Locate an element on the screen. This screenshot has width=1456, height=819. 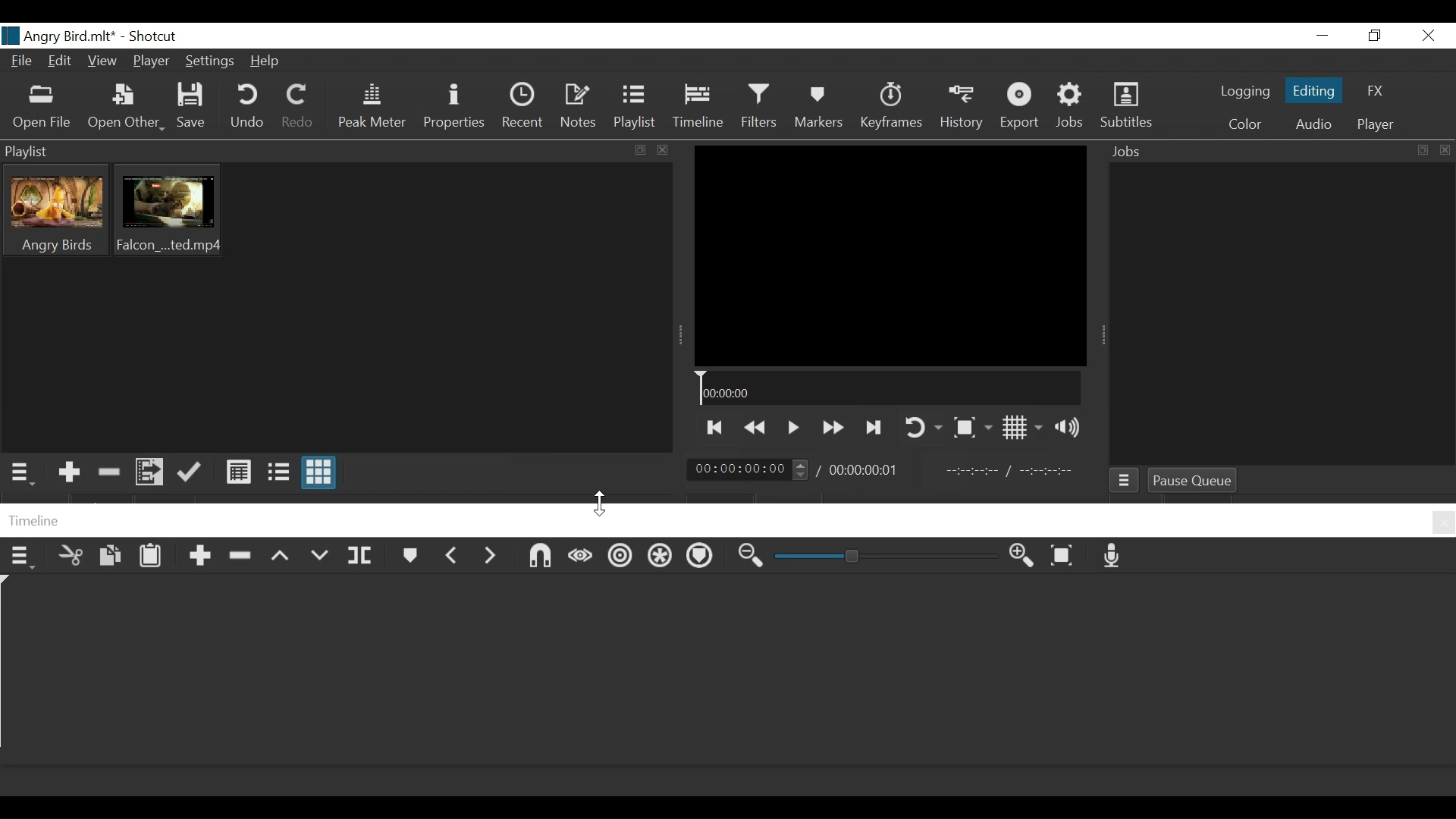
Clip is located at coordinates (168, 210).